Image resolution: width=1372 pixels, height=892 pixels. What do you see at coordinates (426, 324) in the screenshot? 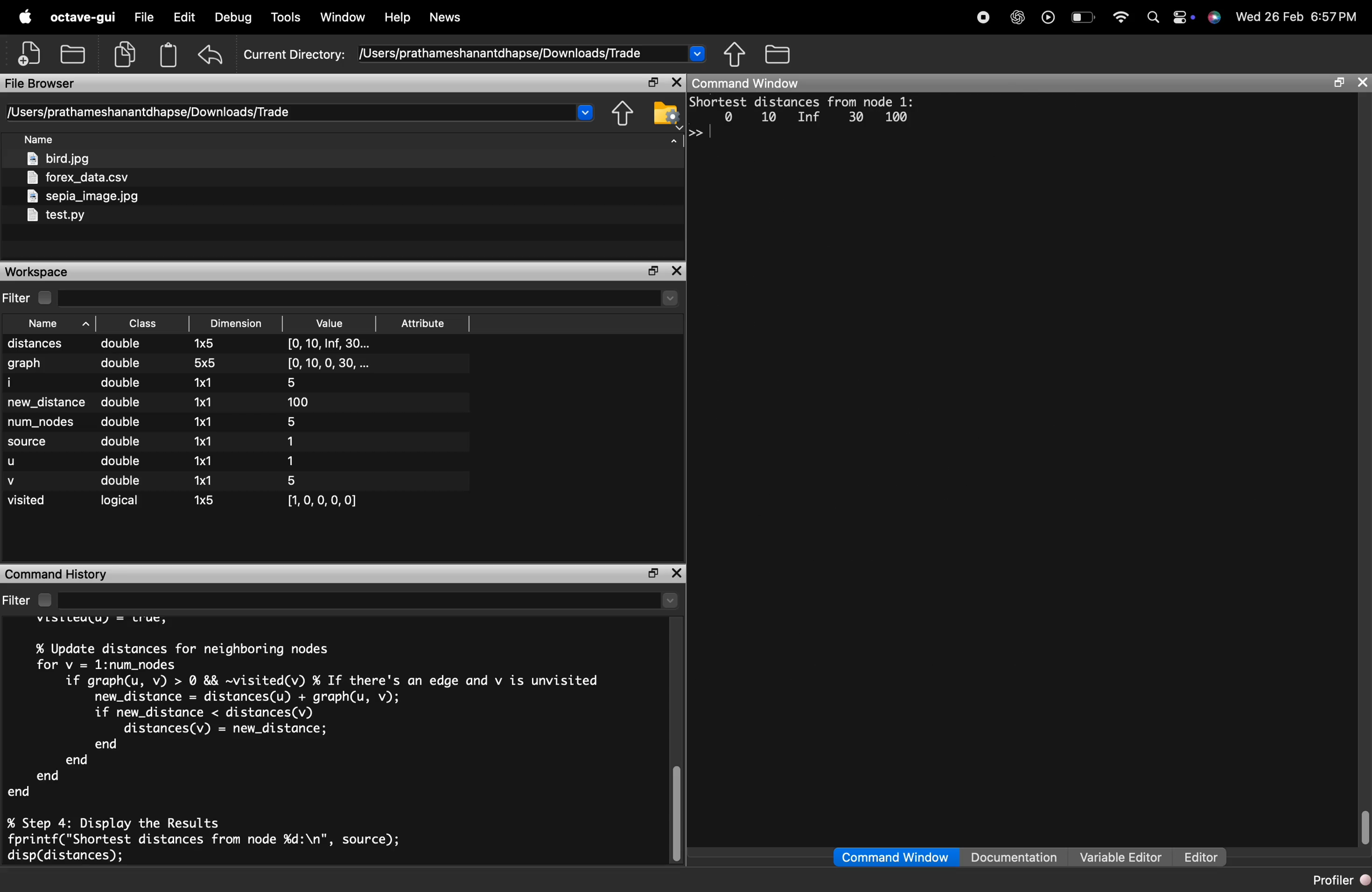
I see `sort by attribute` at bounding box center [426, 324].